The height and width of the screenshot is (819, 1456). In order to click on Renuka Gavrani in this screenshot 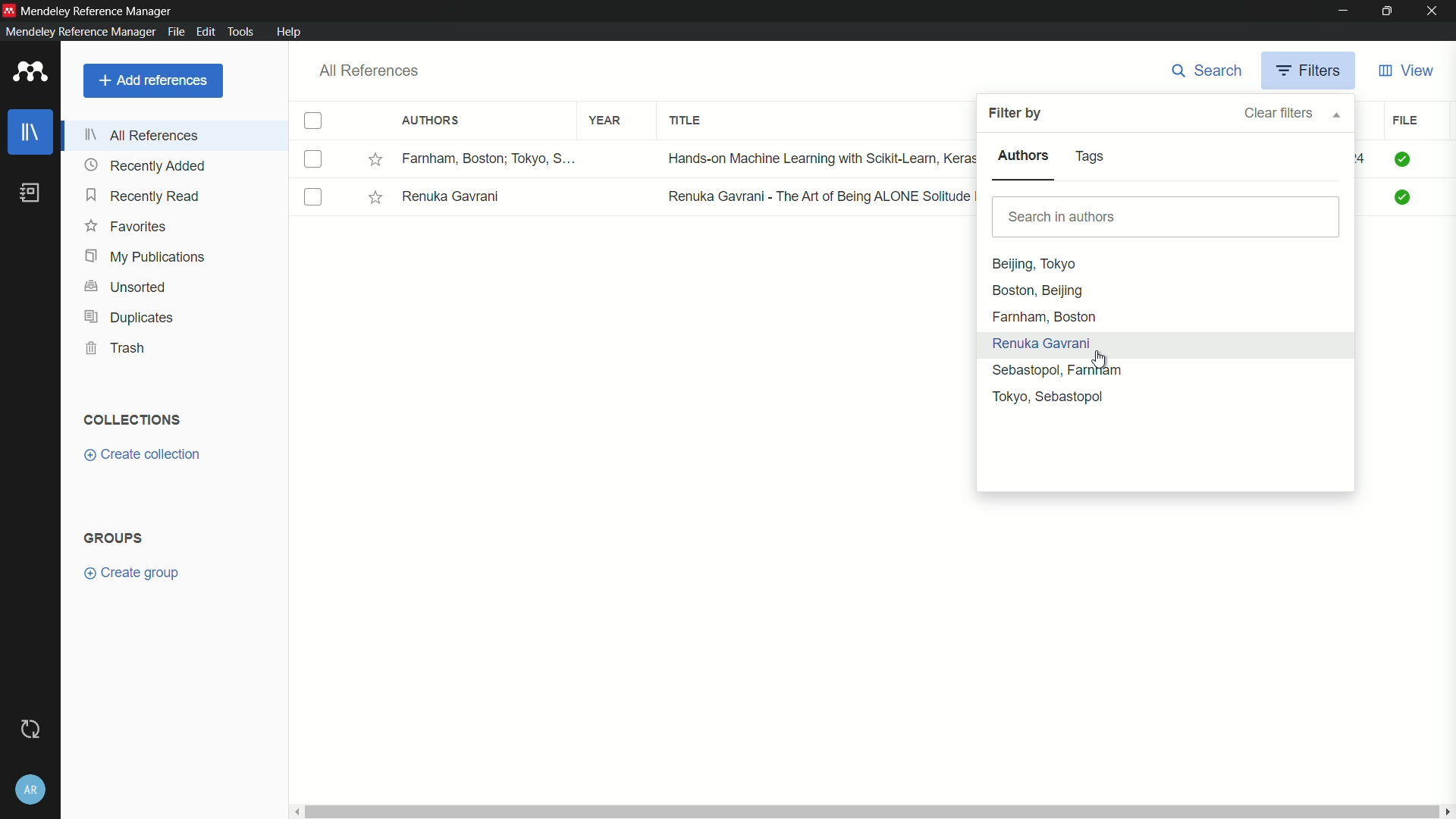, I will do `click(450, 197)`.